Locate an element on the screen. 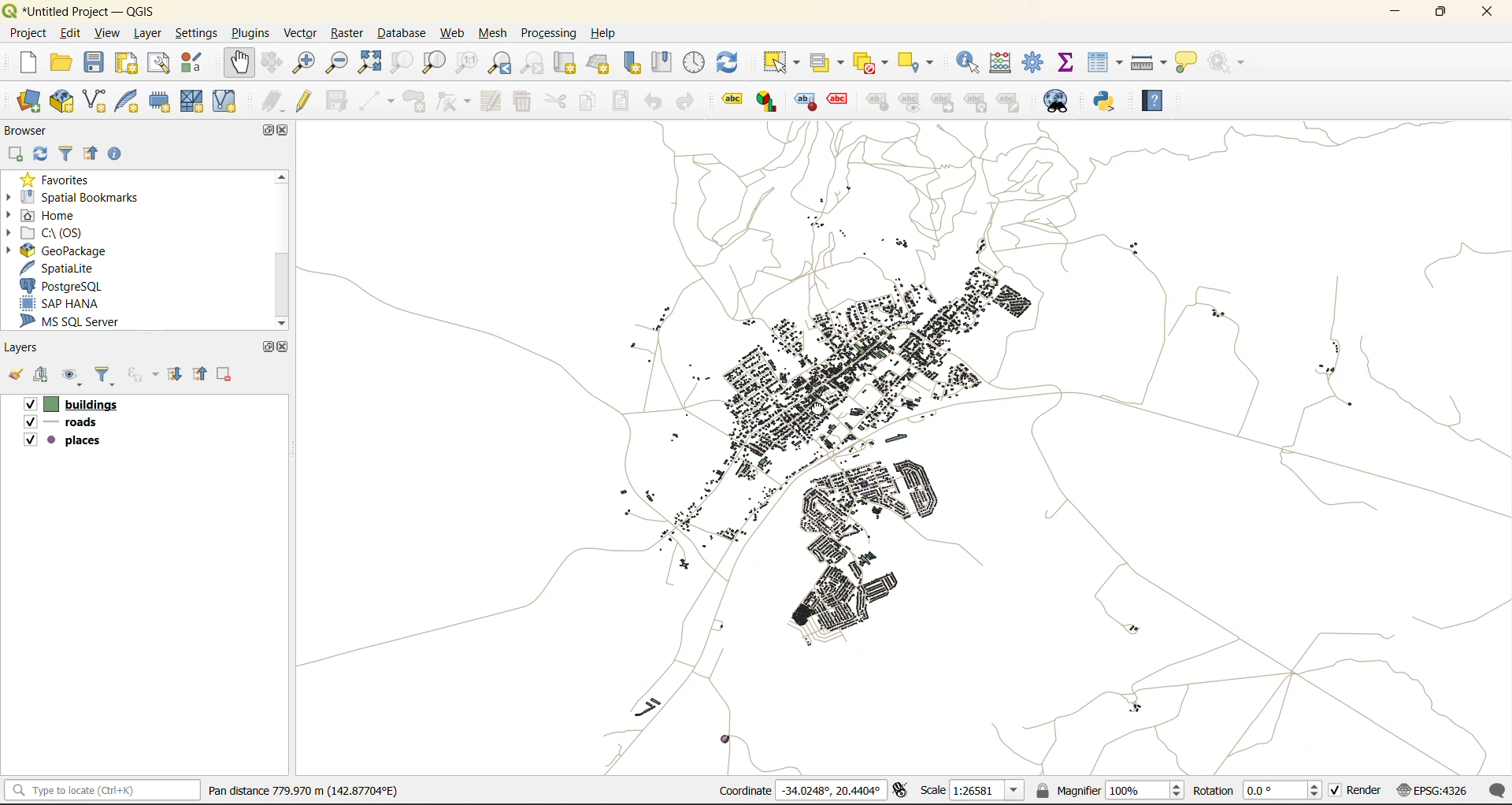 The width and height of the screenshot is (1512, 805). toggle extensions is located at coordinates (905, 791).